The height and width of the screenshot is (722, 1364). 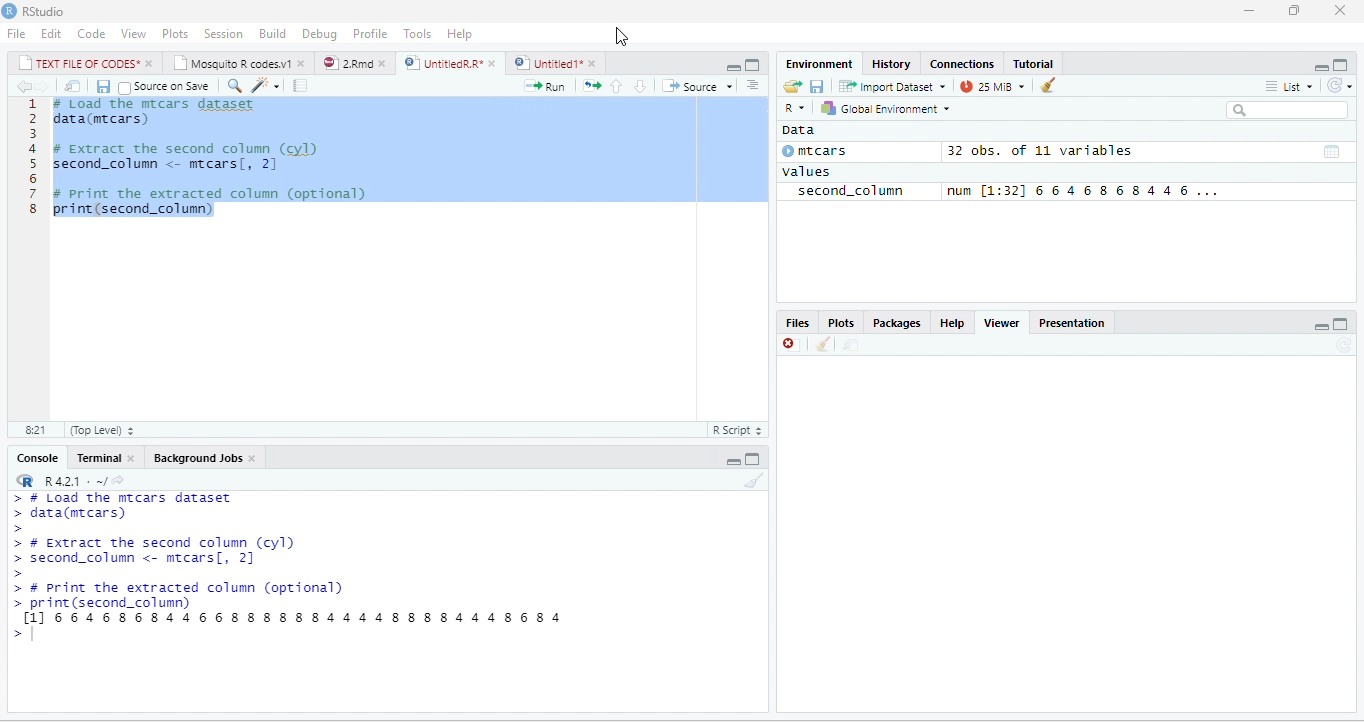 What do you see at coordinates (15, 33) in the screenshot?
I see `File` at bounding box center [15, 33].